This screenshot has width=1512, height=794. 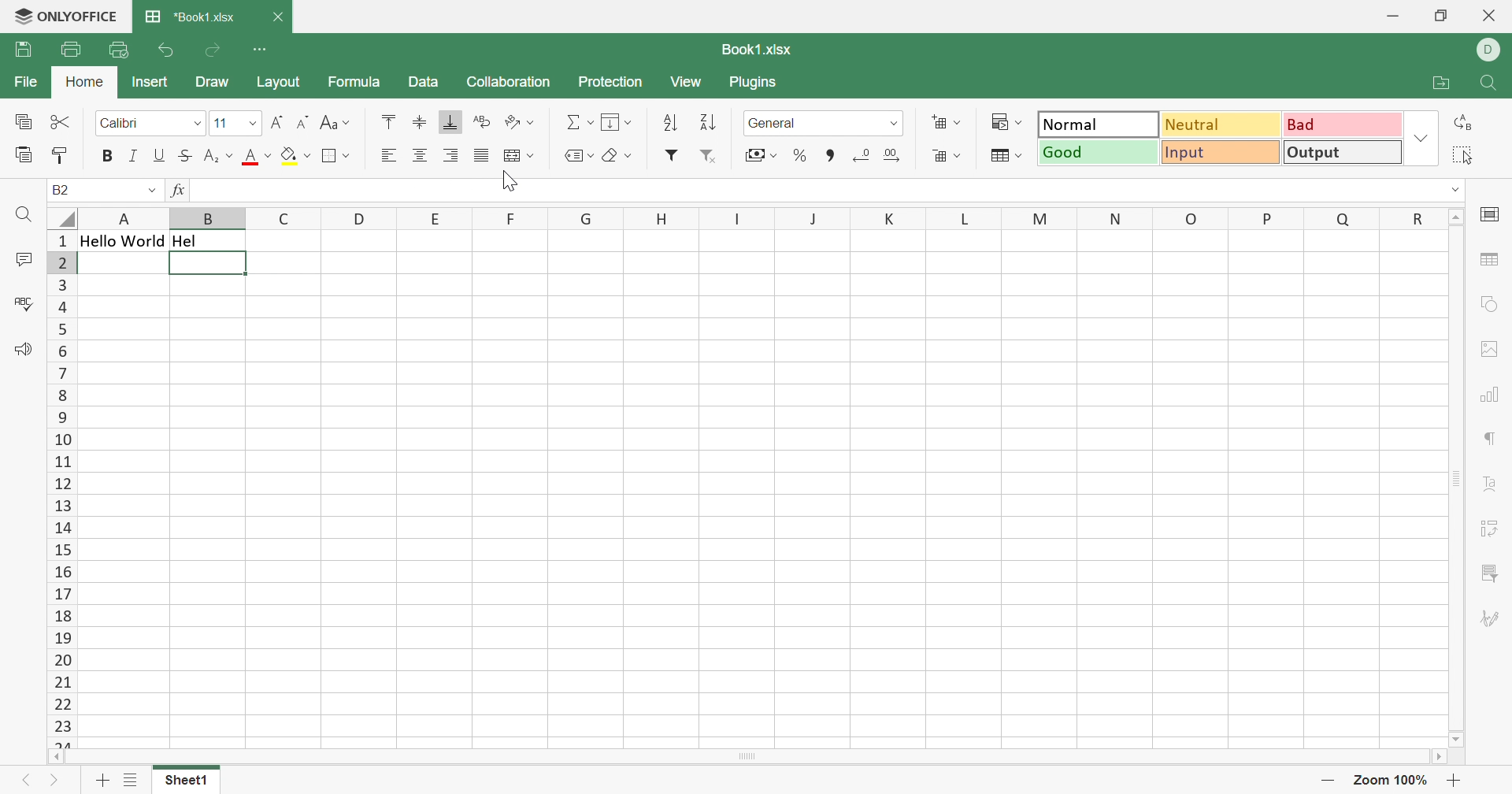 What do you see at coordinates (388, 155) in the screenshot?
I see `Align left` at bounding box center [388, 155].